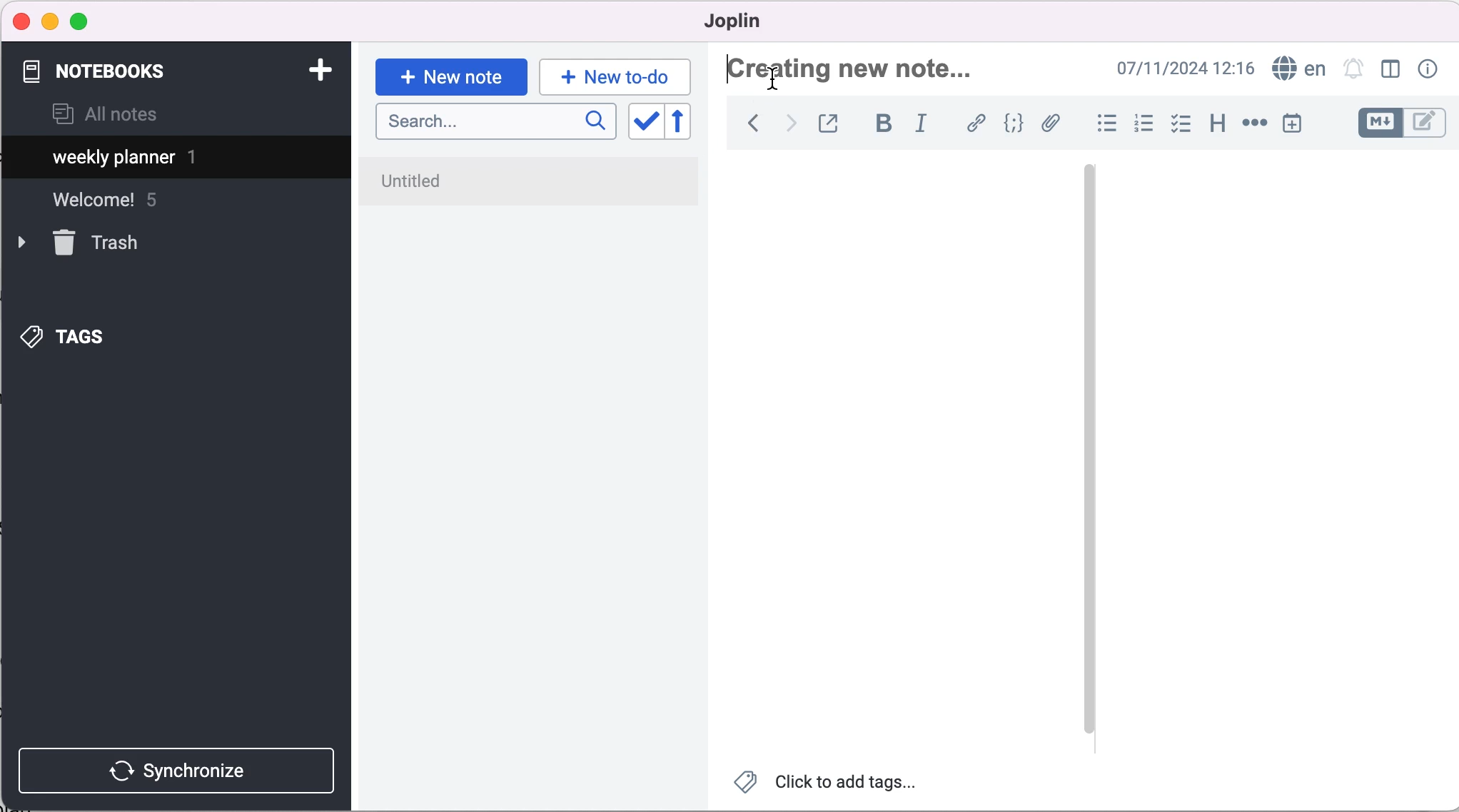 The width and height of the screenshot is (1459, 812). What do you see at coordinates (774, 80) in the screenshot?
I see `cursor` at bounding box center [774, 80].